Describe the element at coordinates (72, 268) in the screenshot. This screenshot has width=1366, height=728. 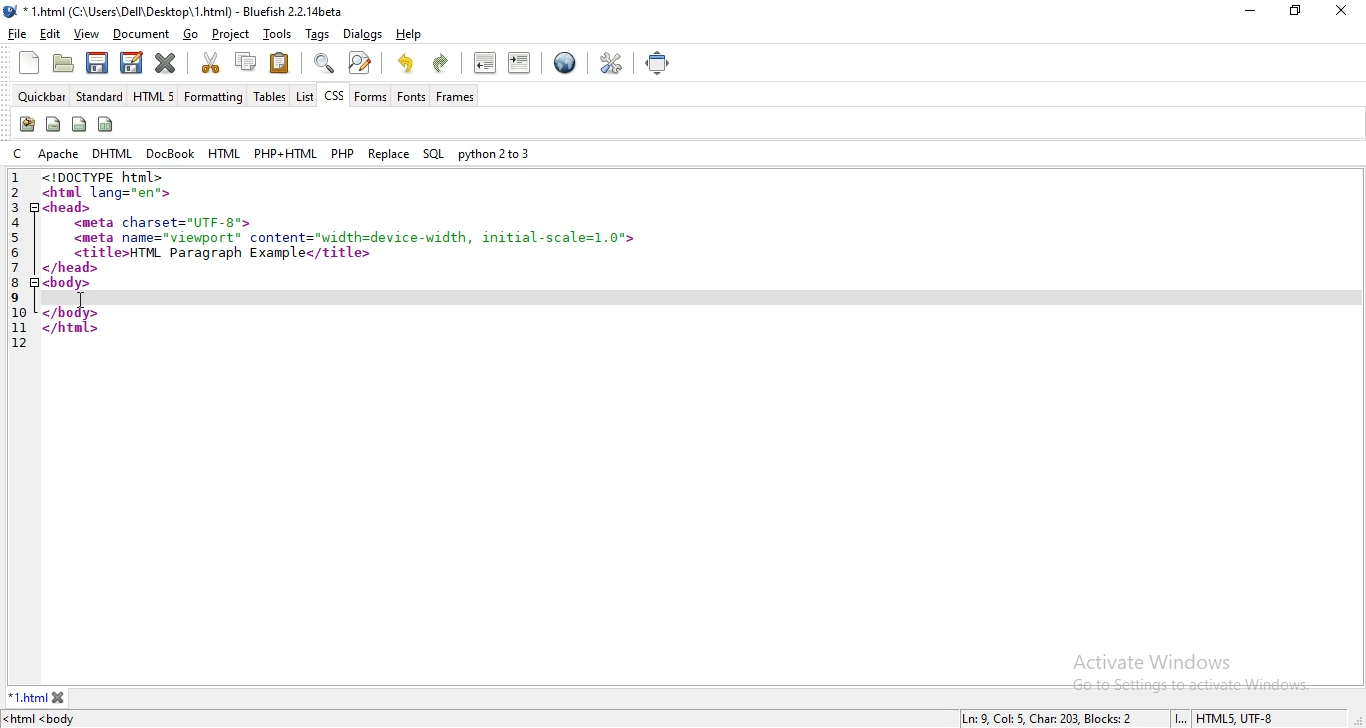
I see `</head>` at that location.